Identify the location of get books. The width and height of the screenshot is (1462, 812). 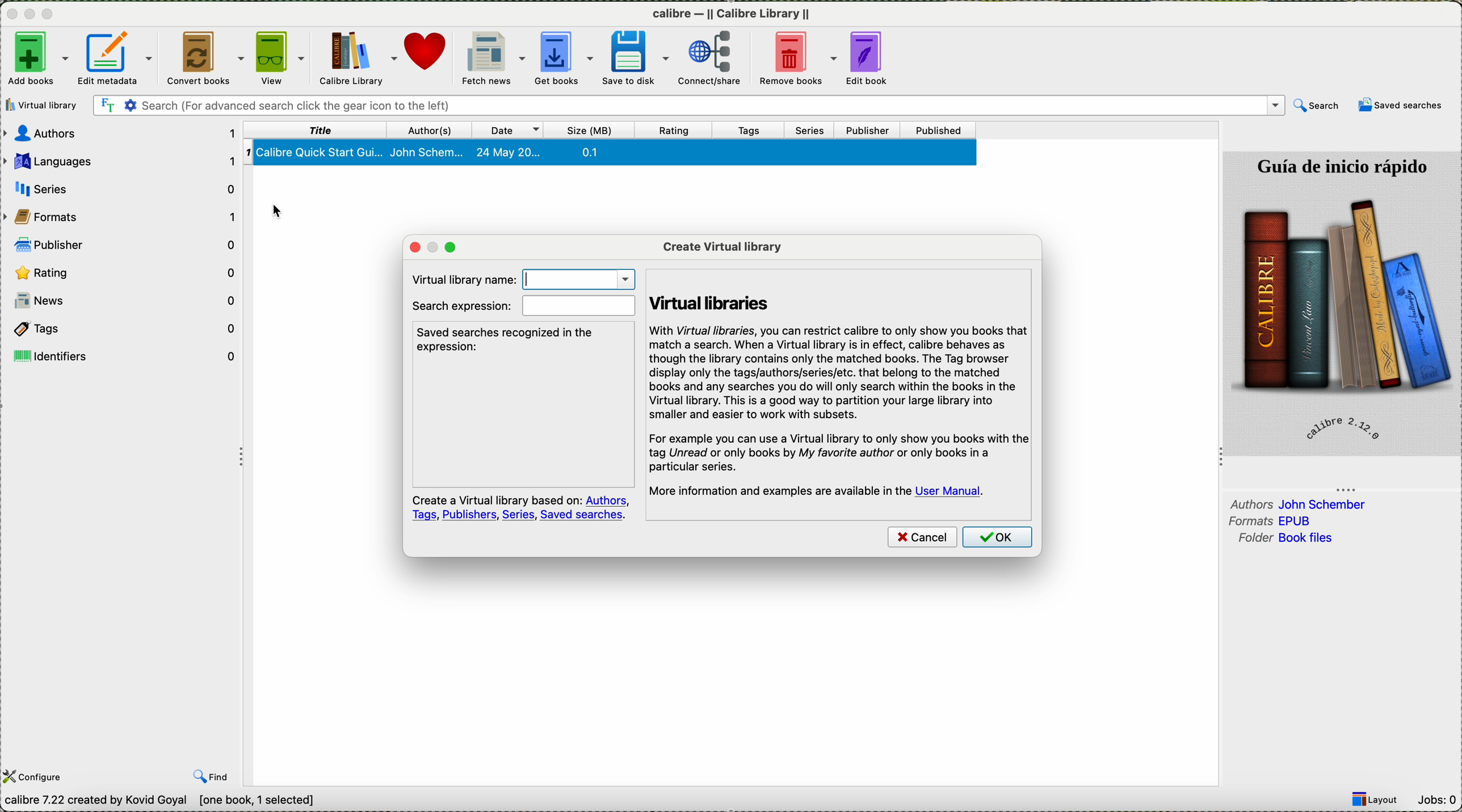
(565, 60).